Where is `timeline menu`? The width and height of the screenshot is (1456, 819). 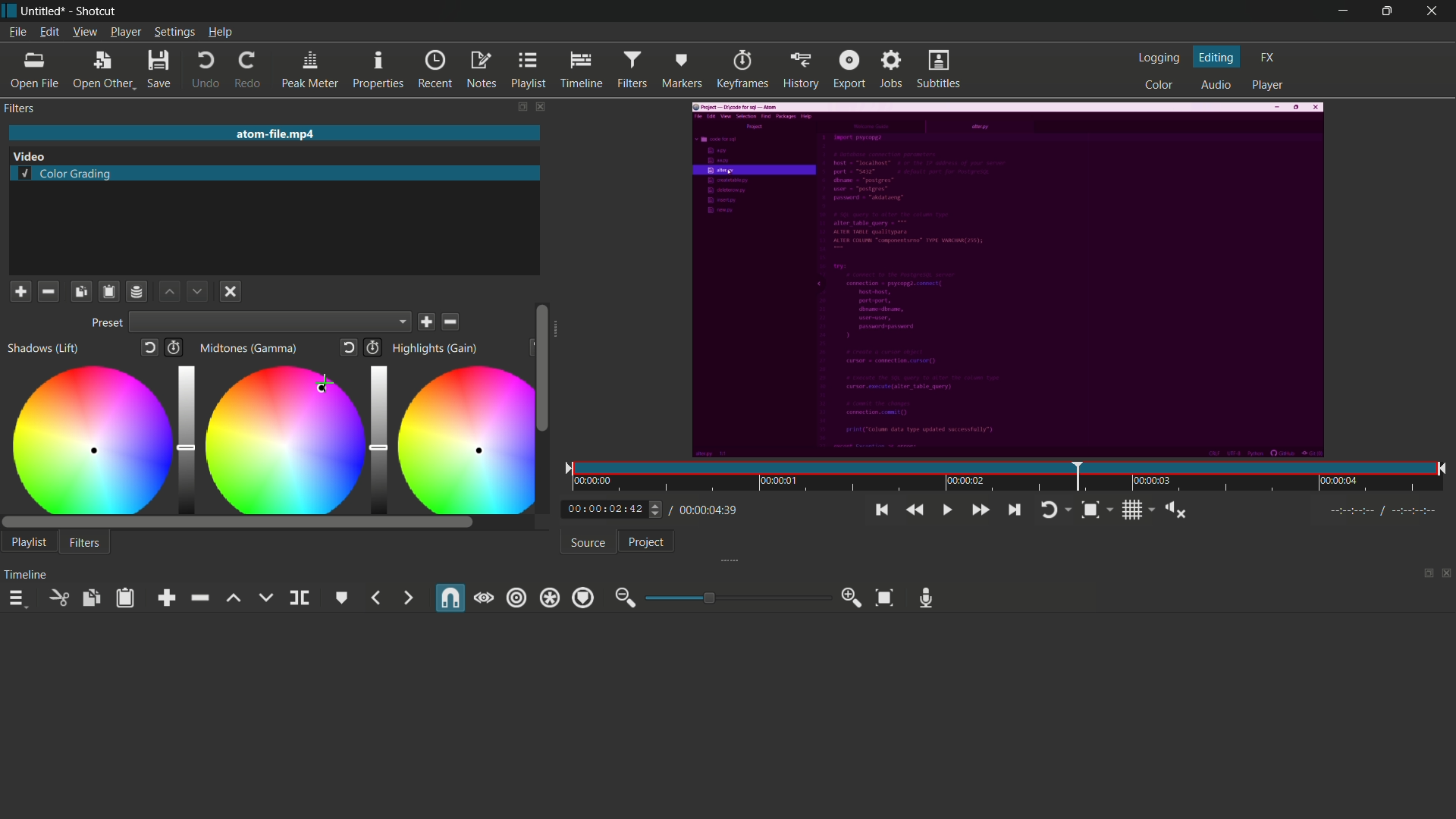
timeline menu is located at coordinates (17, 600).